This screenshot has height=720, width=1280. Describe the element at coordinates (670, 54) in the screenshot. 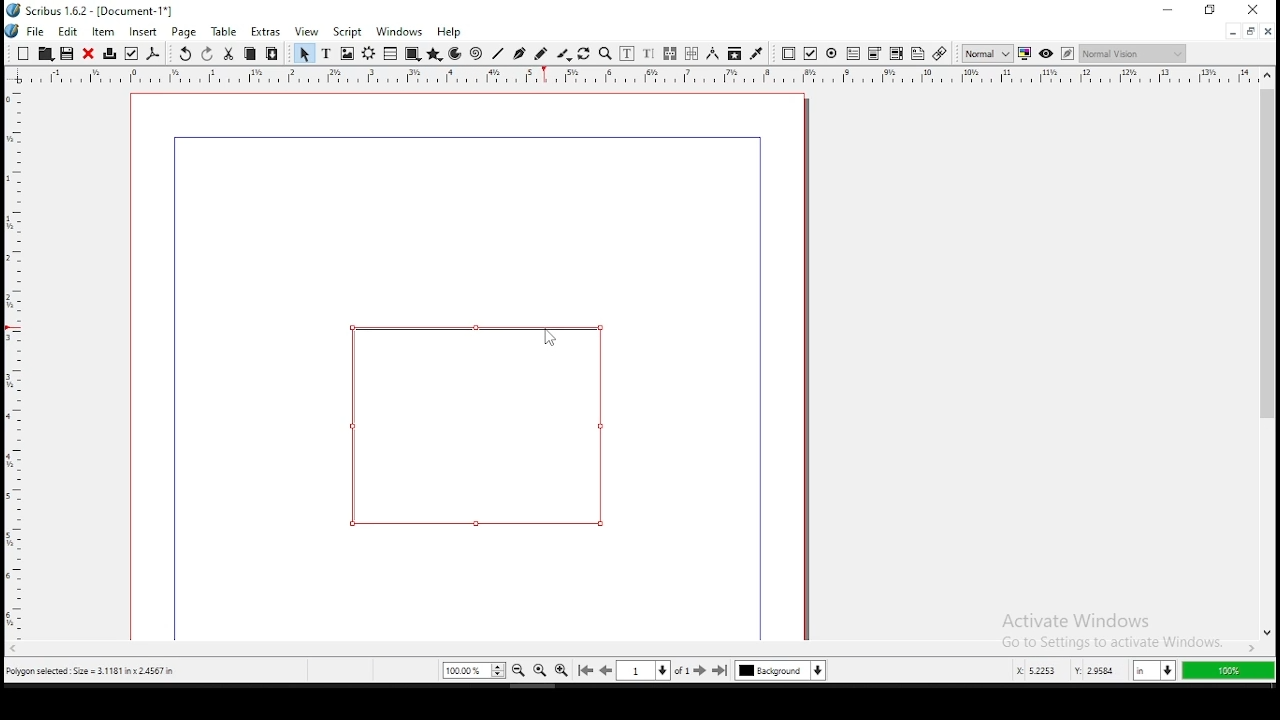

I see `link text frames` at that location.